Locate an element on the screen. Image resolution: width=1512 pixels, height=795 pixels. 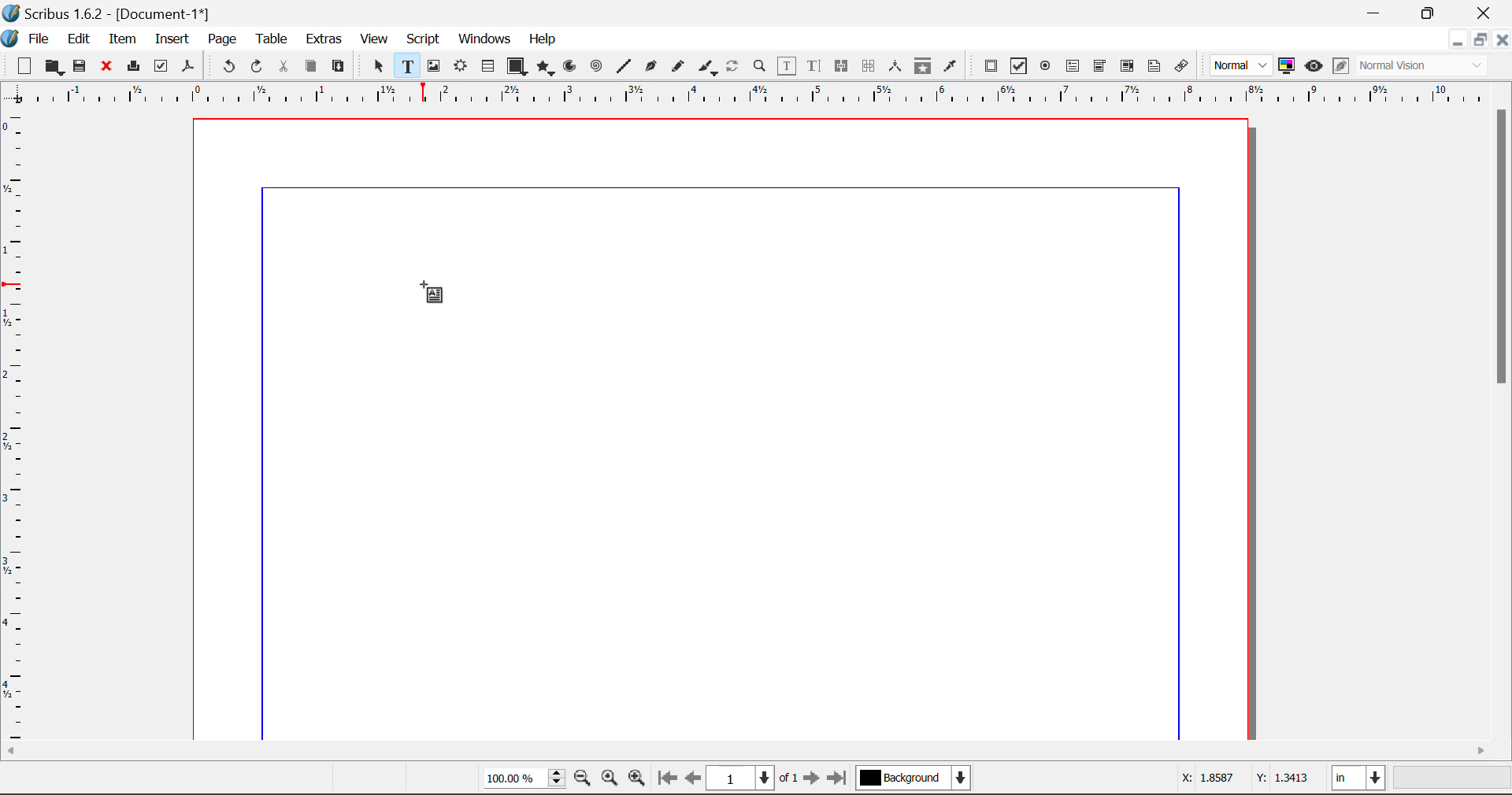
Pdf Text Field is located at coordinates (1073, 65).